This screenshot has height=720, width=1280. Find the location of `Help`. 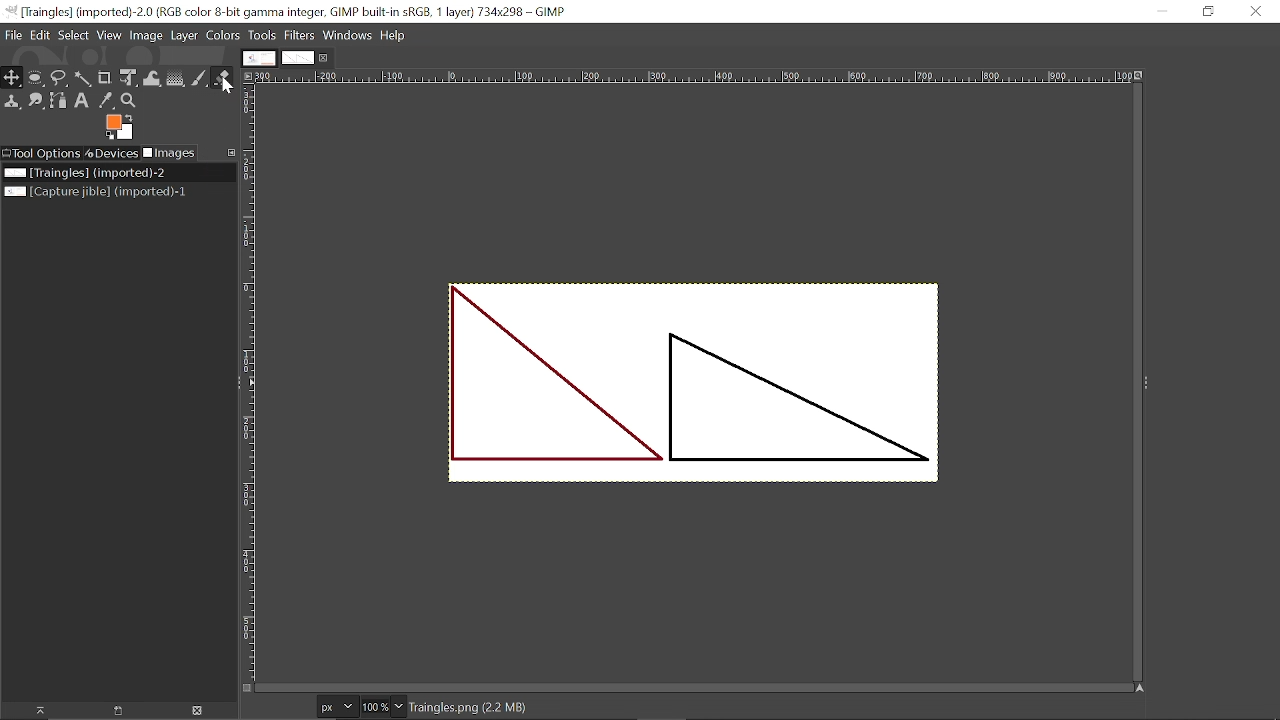

Help is located at coordinates (391, 35).